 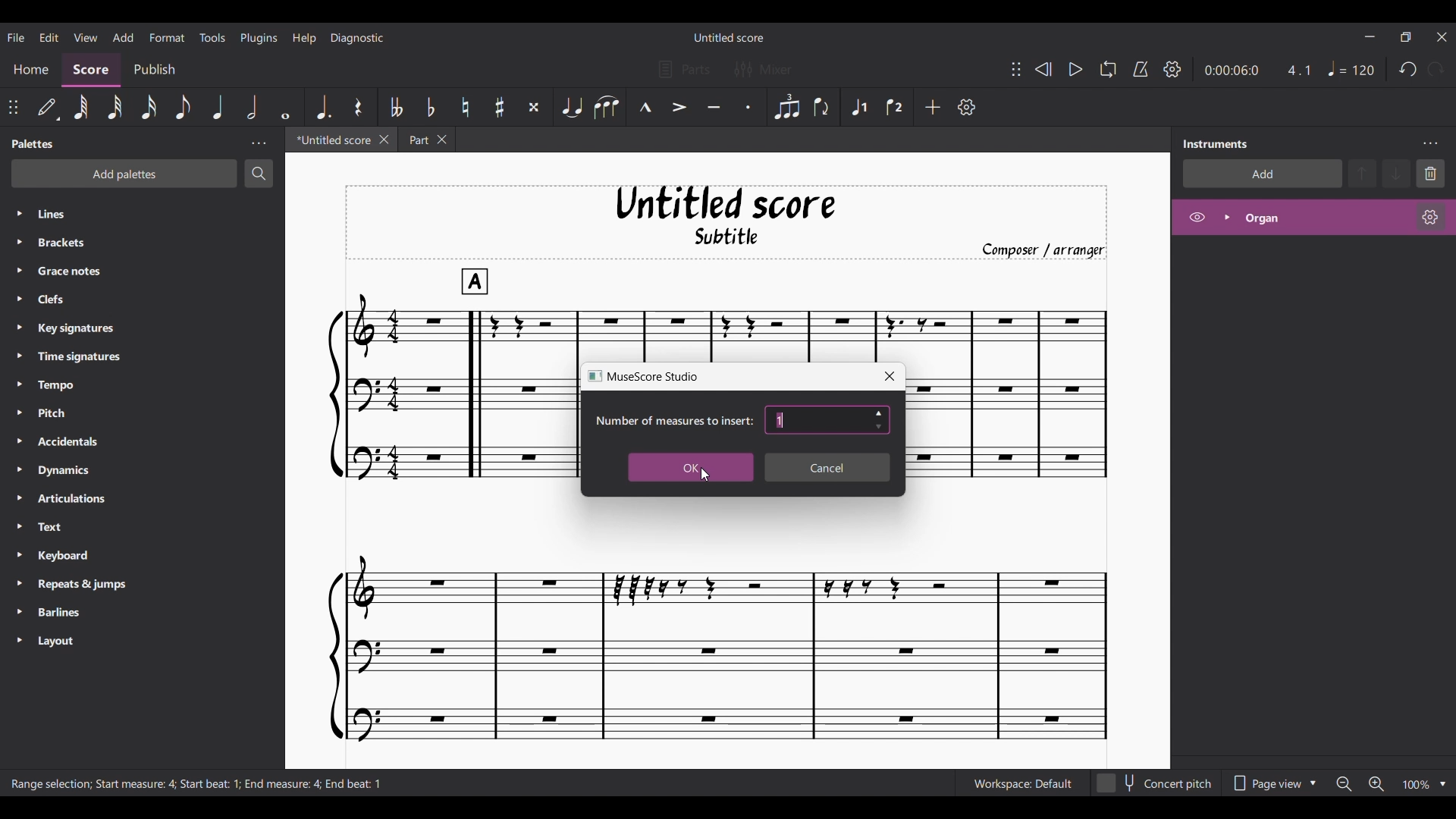 What do you see at coordinates (357, 37) in the screenshot?
I see `Diagnostic menu` at bounding box center [357, 37].